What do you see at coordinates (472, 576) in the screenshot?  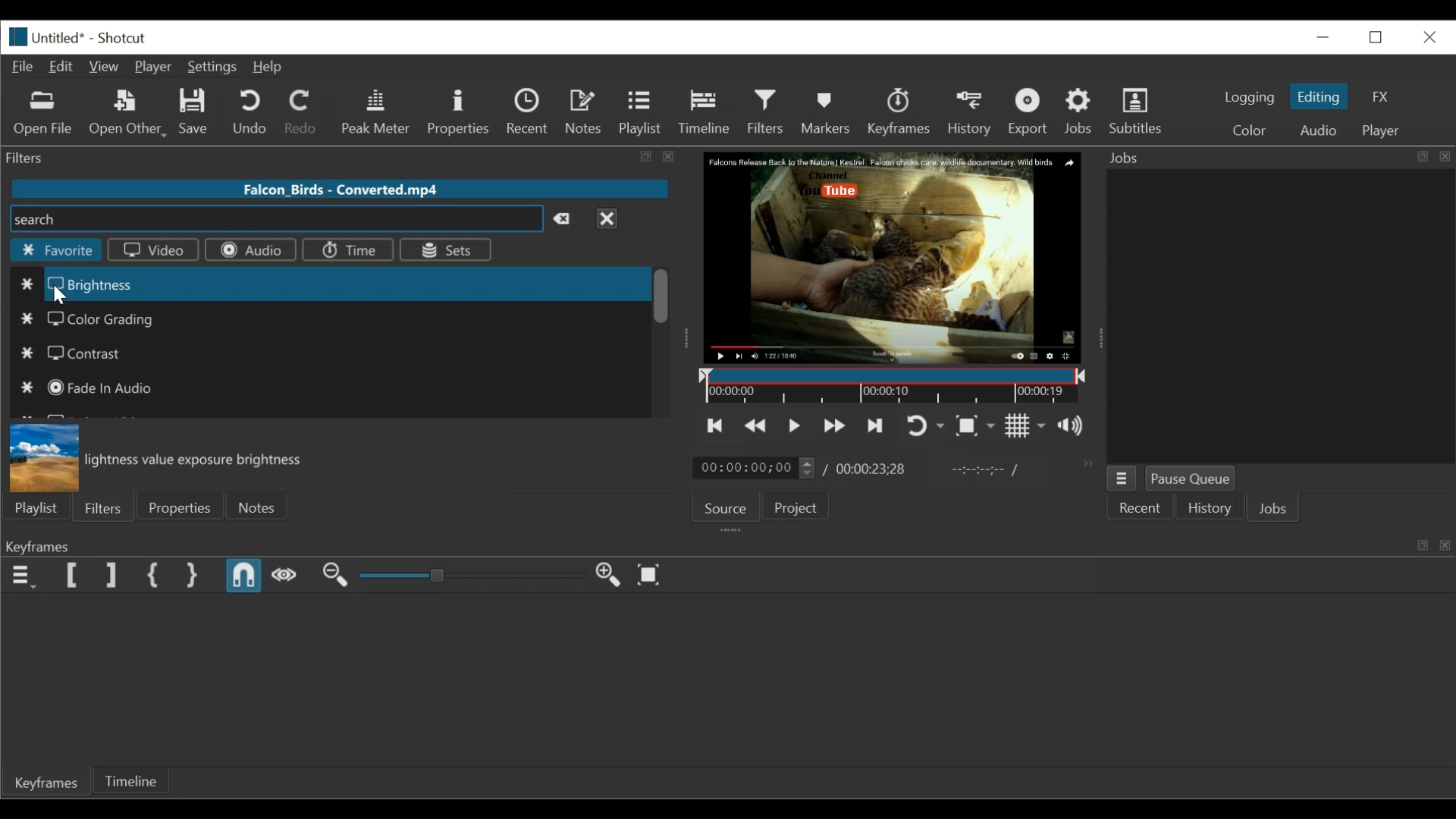 I see `Zoom keyframe slider` at bounding box center [472, 576].